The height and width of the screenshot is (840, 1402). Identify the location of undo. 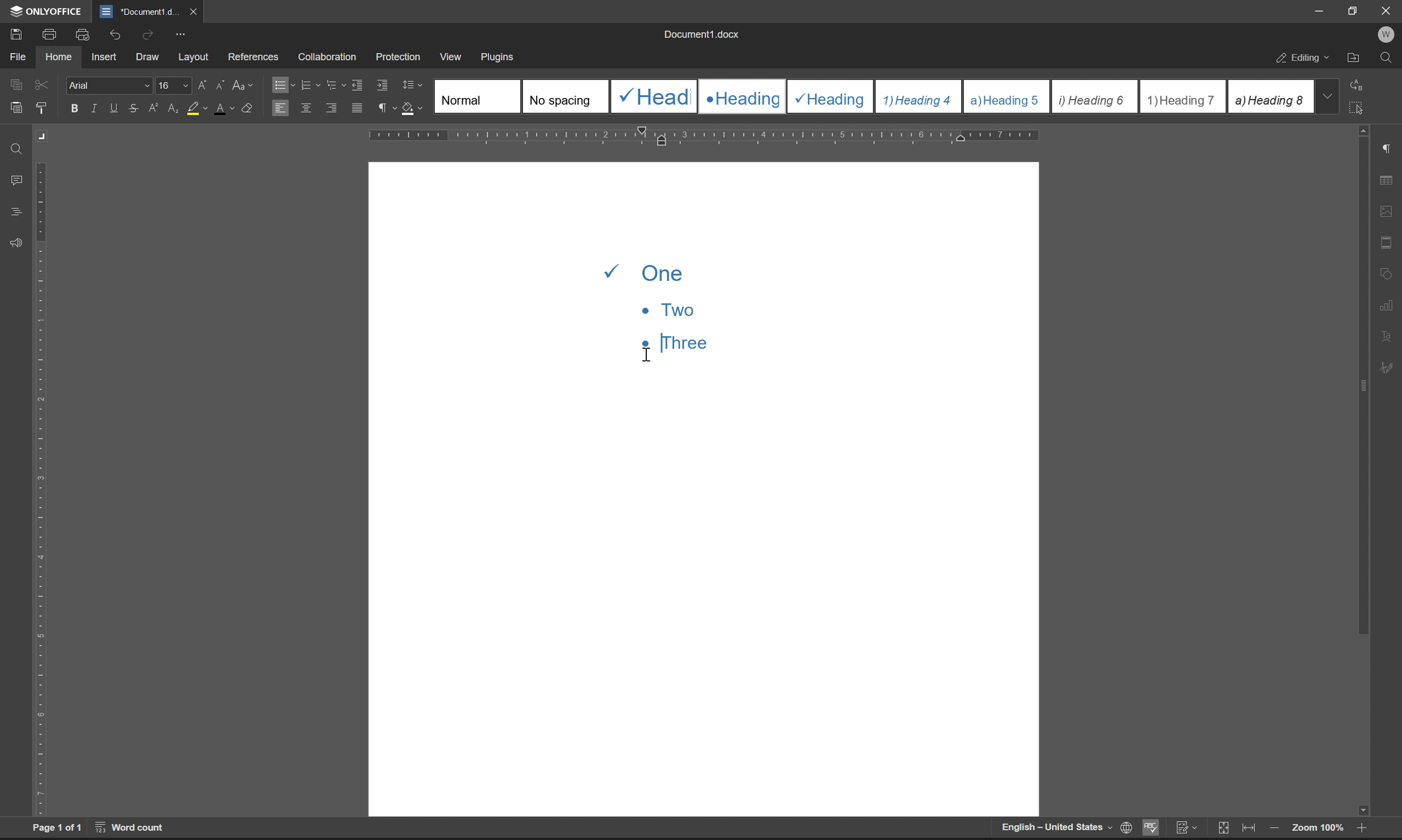
(113, 36).